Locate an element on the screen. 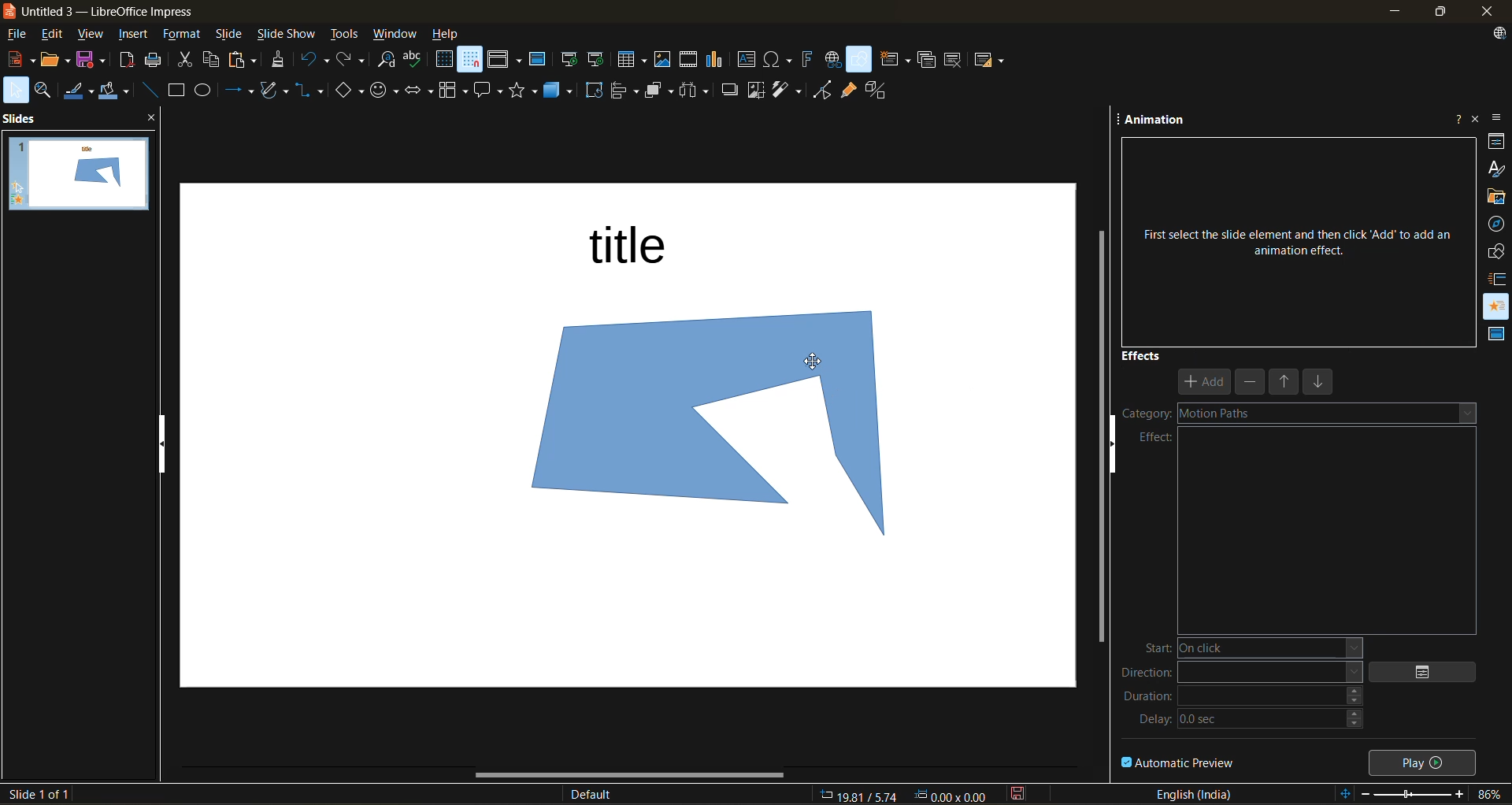  ellipse is located at coordinates (206, 91).